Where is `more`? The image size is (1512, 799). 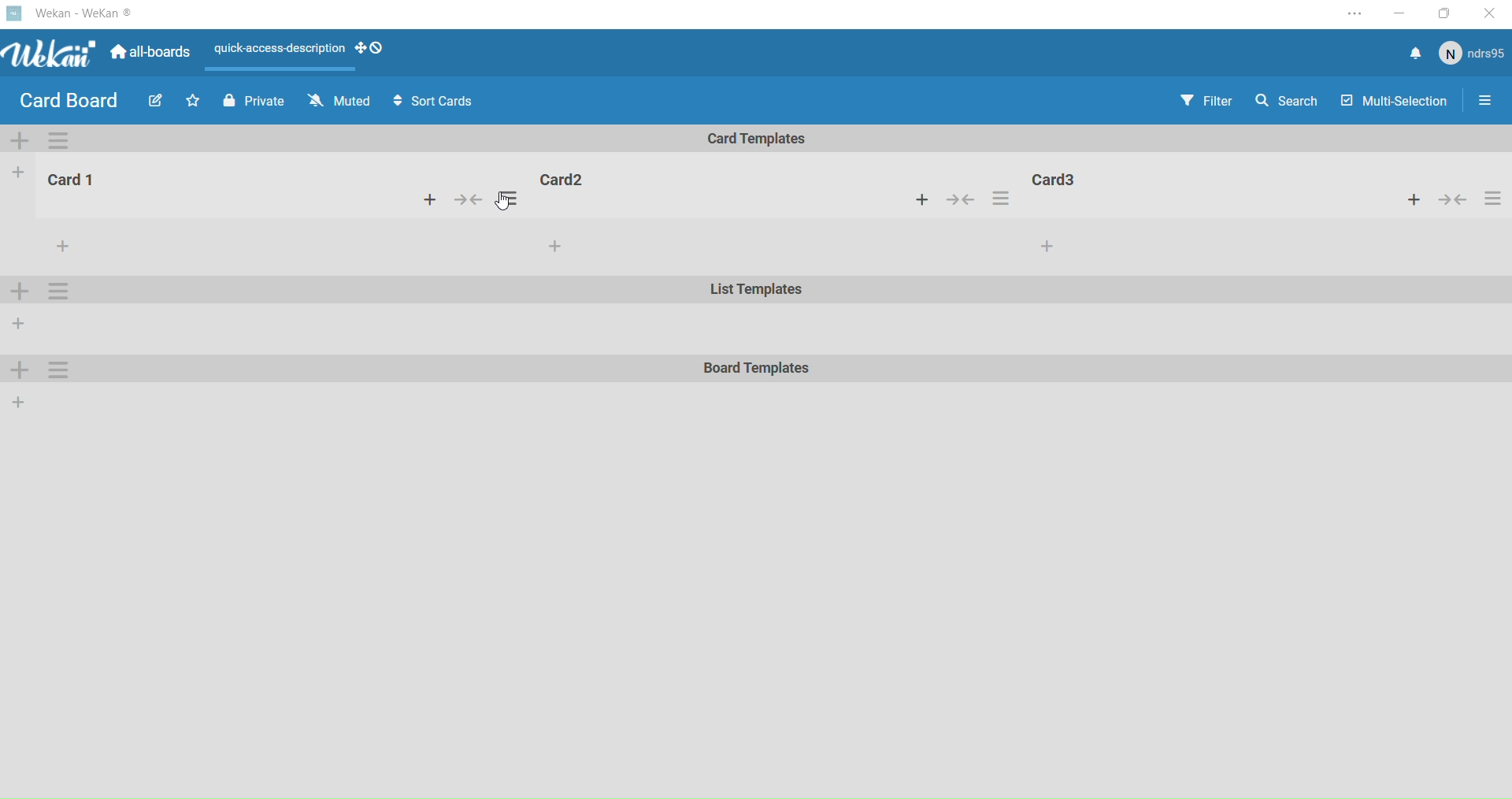 more is located at coordinates (561, 245).